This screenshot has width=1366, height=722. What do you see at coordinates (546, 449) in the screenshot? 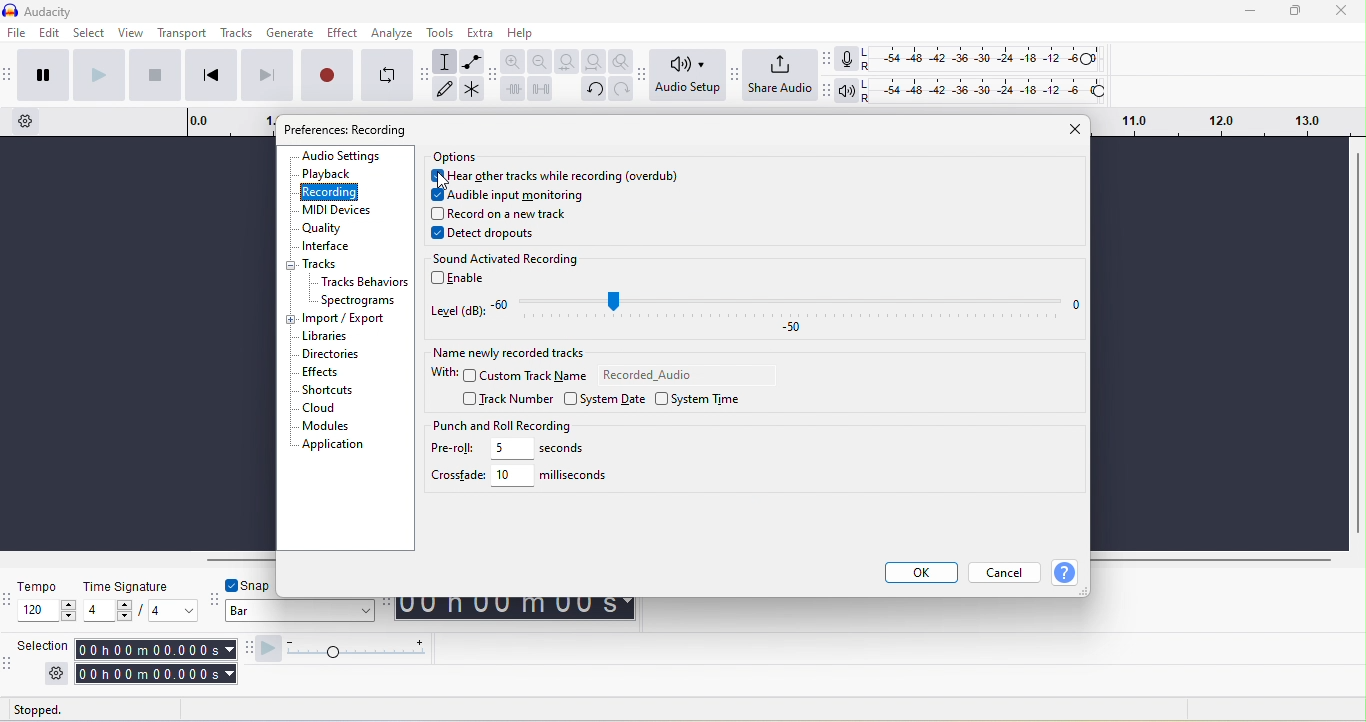
I see `5 seconds` at bounding box center [546, 449].